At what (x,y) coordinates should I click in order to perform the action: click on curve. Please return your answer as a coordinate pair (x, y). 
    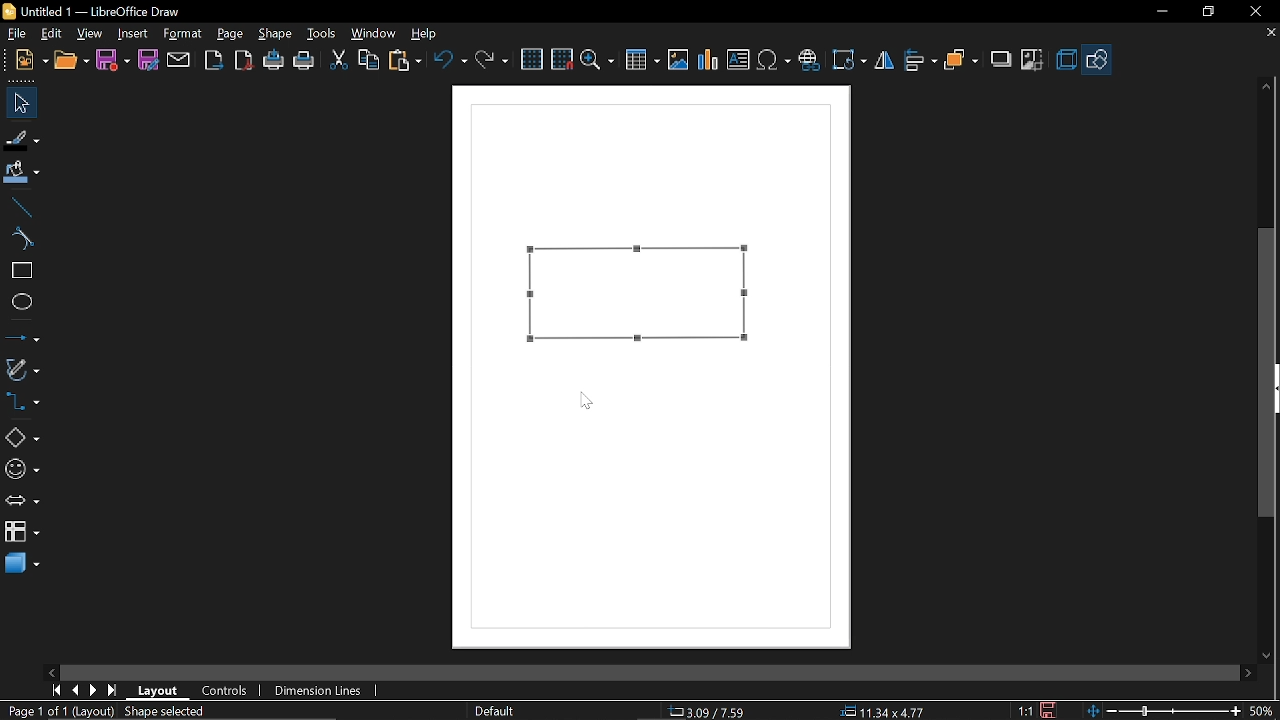
    Looking at the image, I should click on (20, 238).